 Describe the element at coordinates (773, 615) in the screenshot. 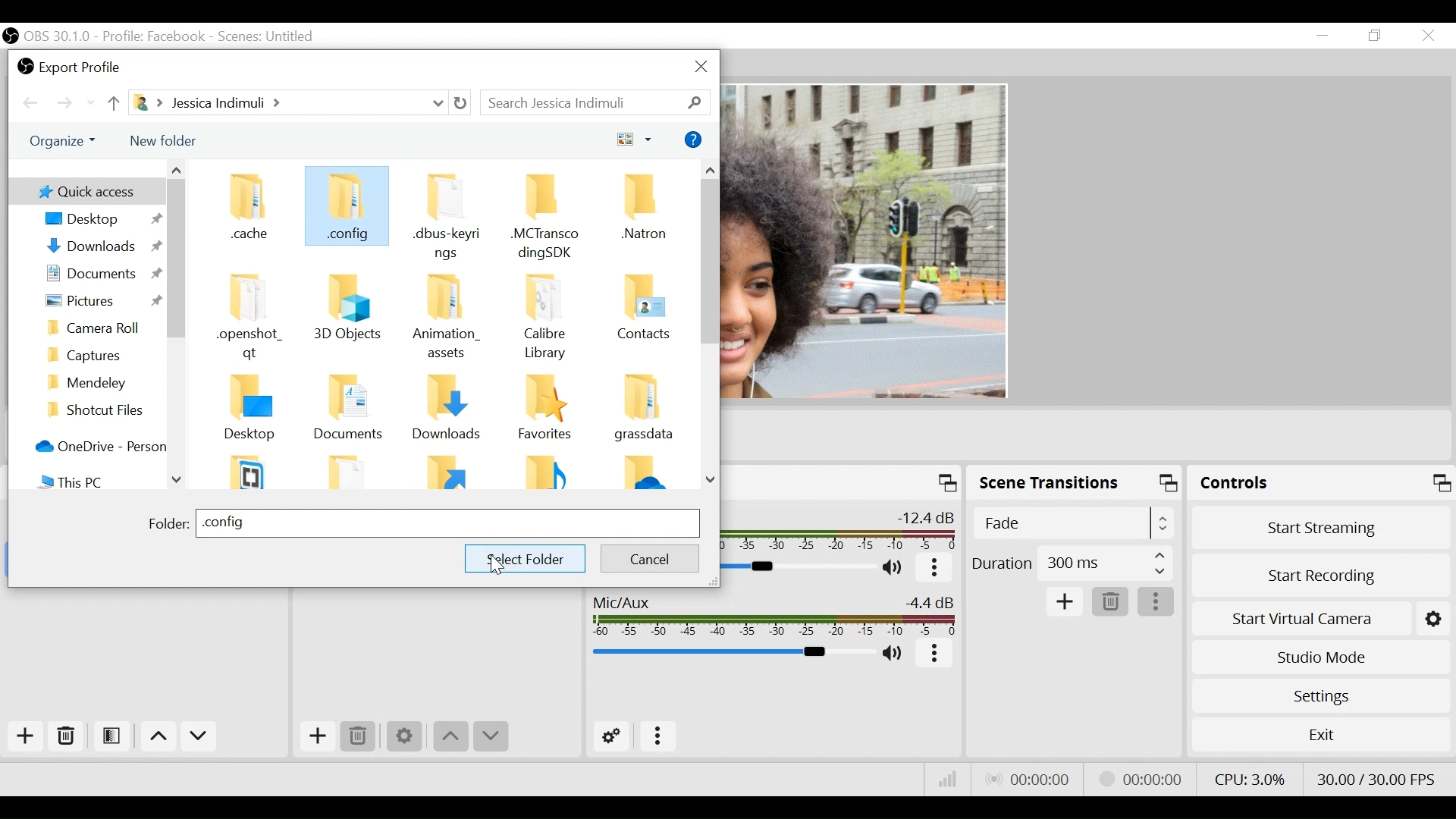

I see `Mic/Aux ` at that location.